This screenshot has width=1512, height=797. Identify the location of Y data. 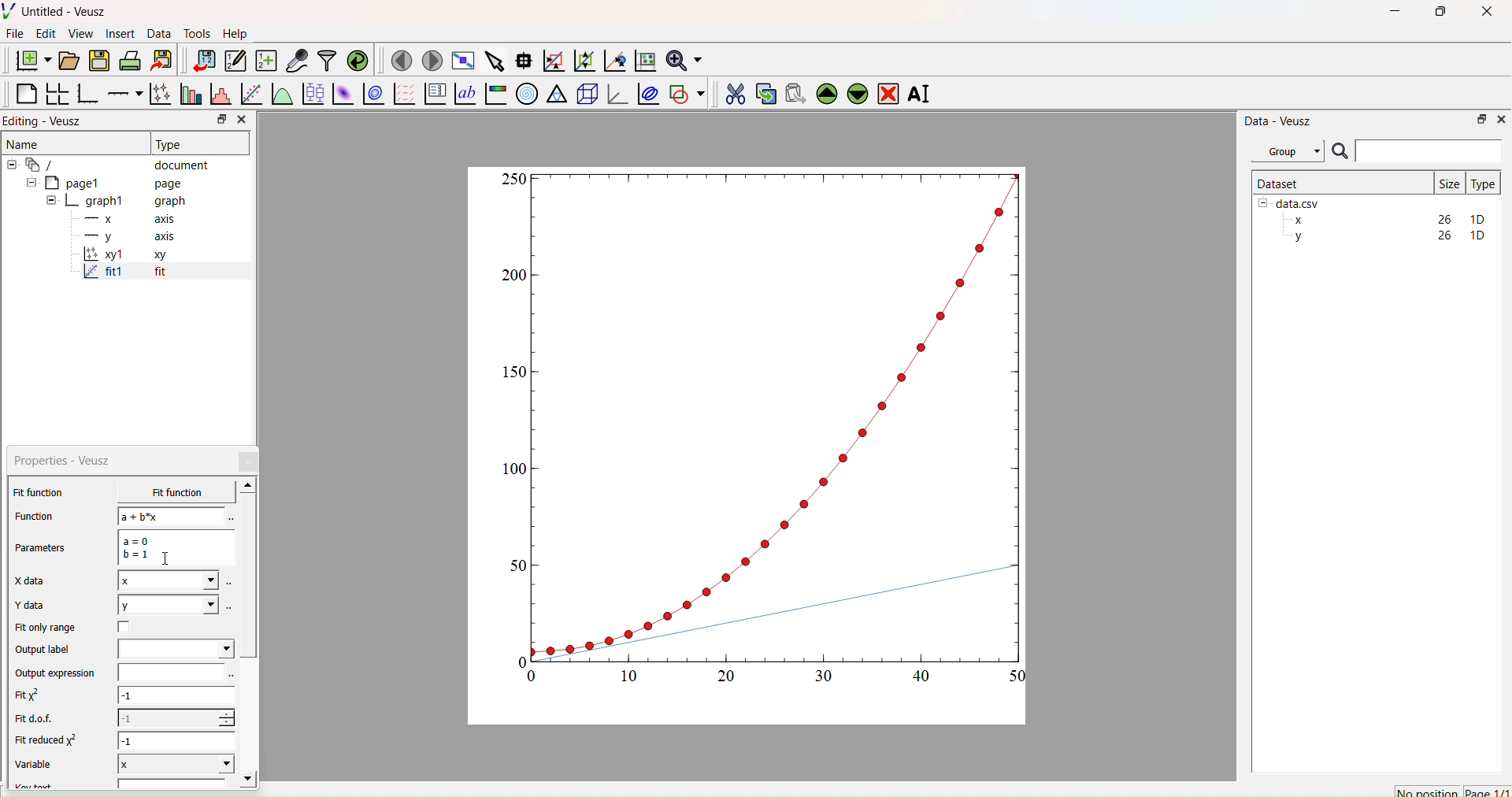
(35, 606).